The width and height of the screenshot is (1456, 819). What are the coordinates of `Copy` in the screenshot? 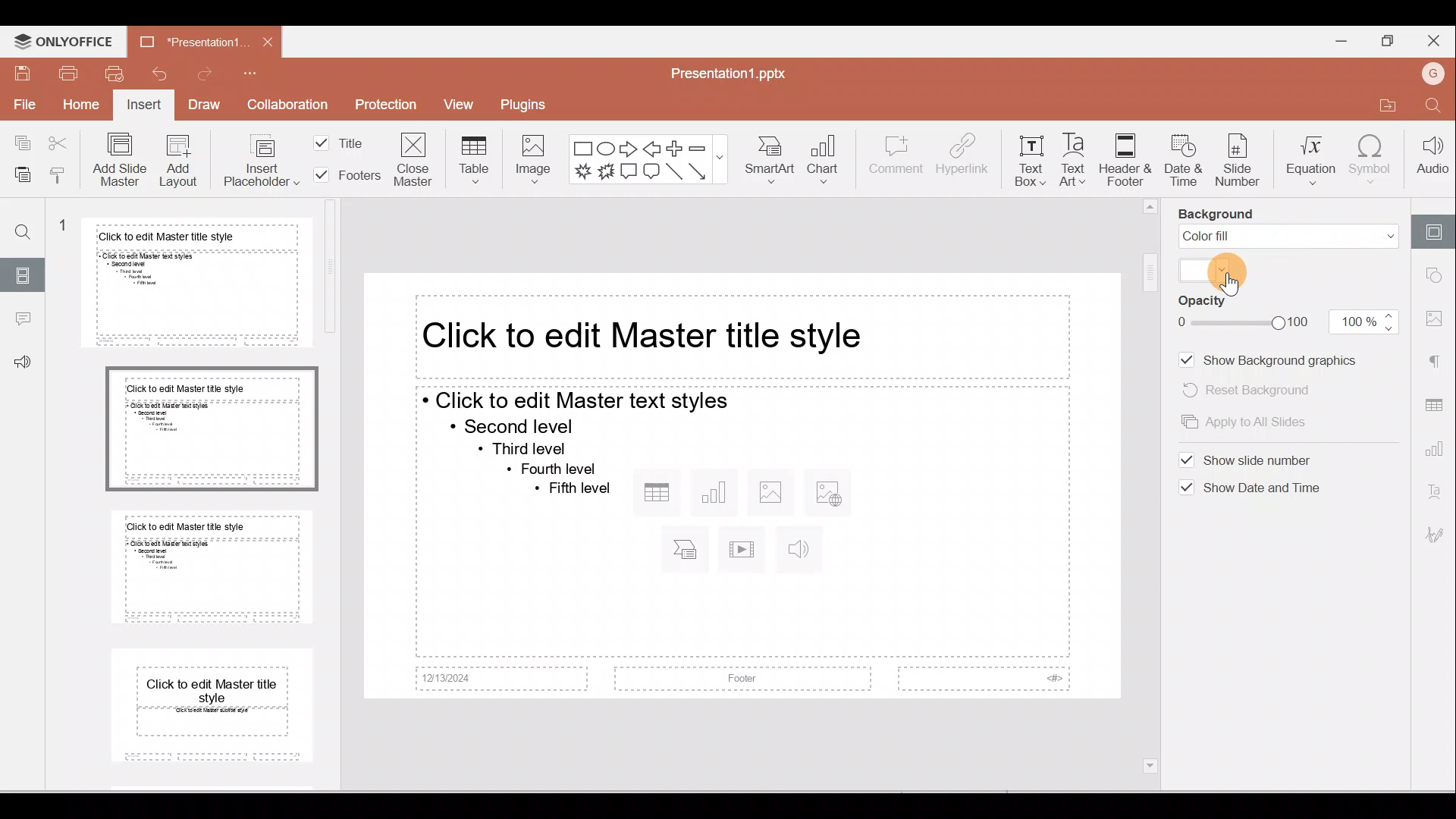 It's located at (19, 141).